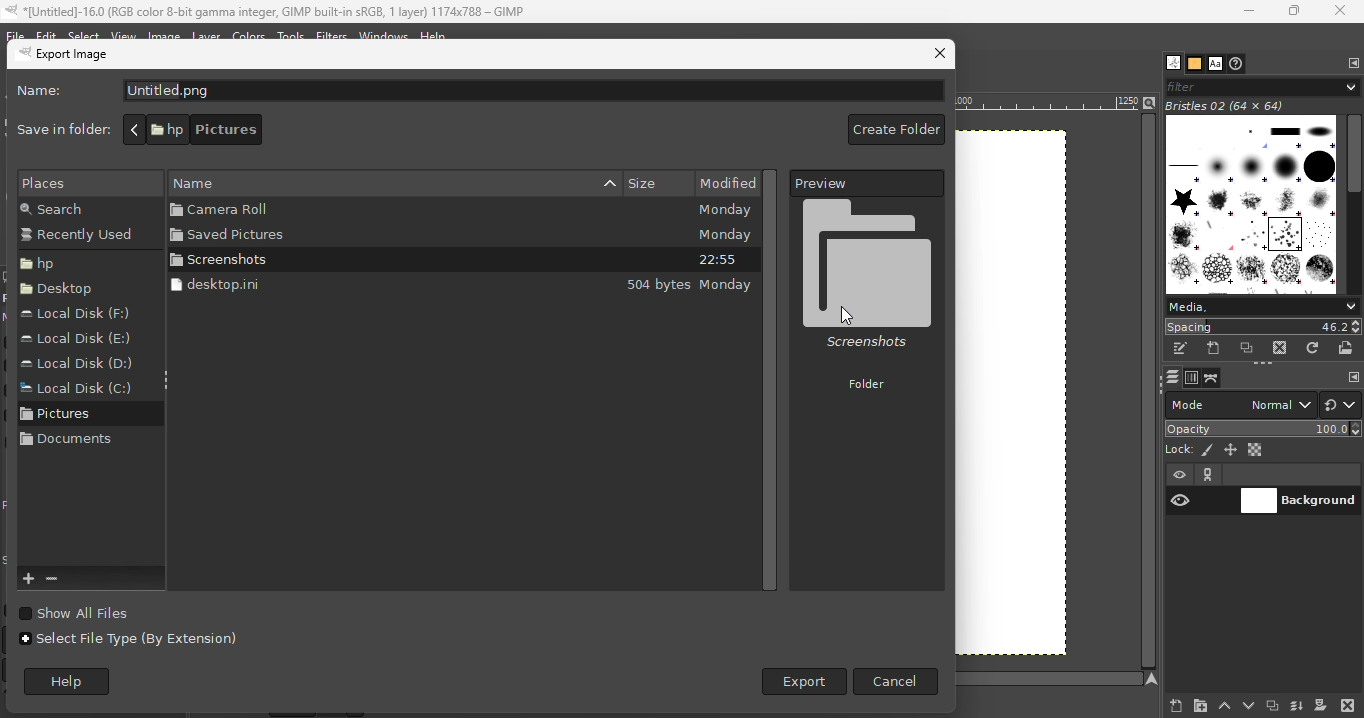 This screenshot has height=718, width=1364. Describe the element at coordinates (356, 260) in the screenshot. I see `Screenshots folder` at that location.